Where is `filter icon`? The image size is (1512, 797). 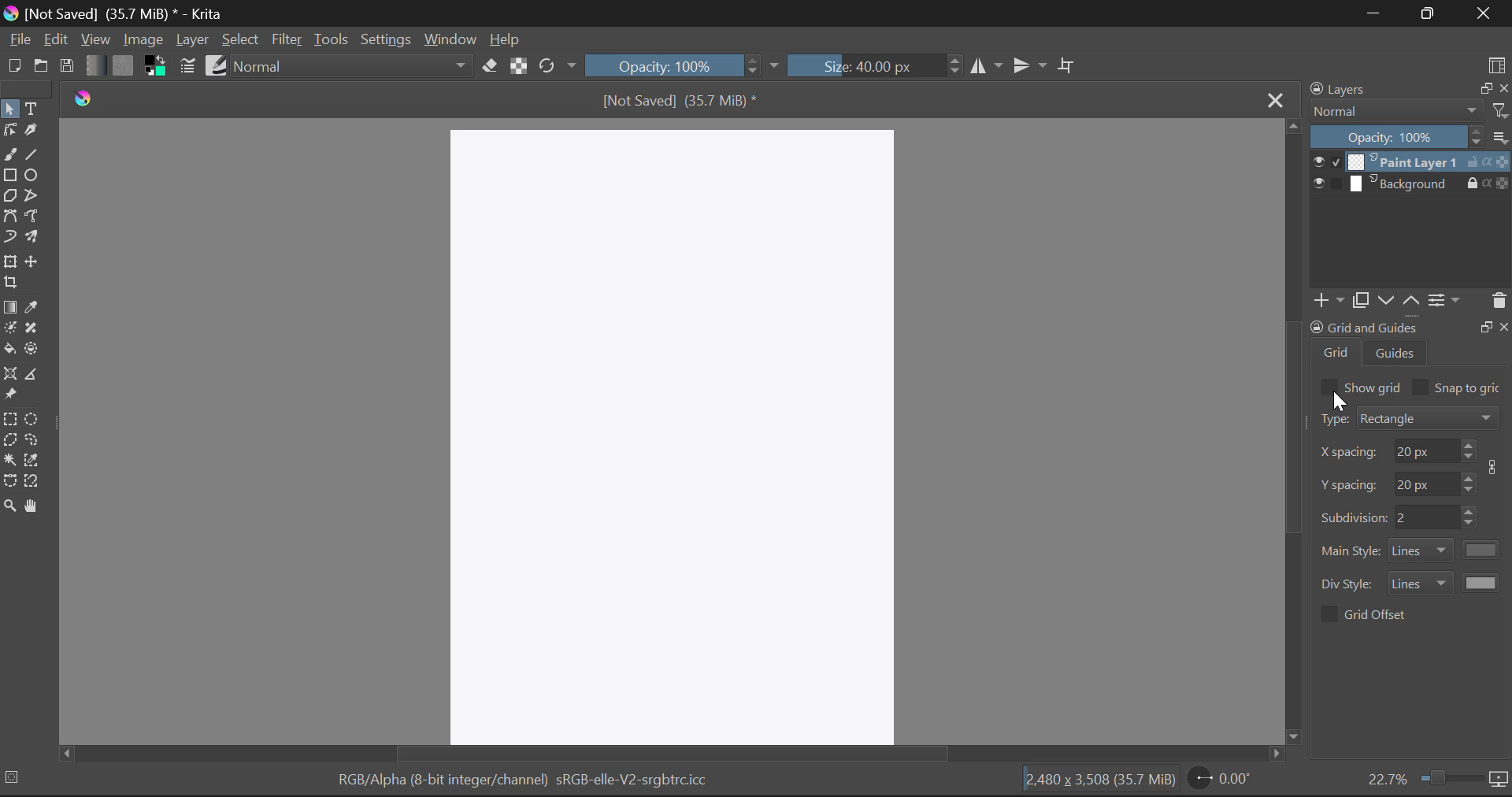
filter icon is located at coordinates (1499, 110).